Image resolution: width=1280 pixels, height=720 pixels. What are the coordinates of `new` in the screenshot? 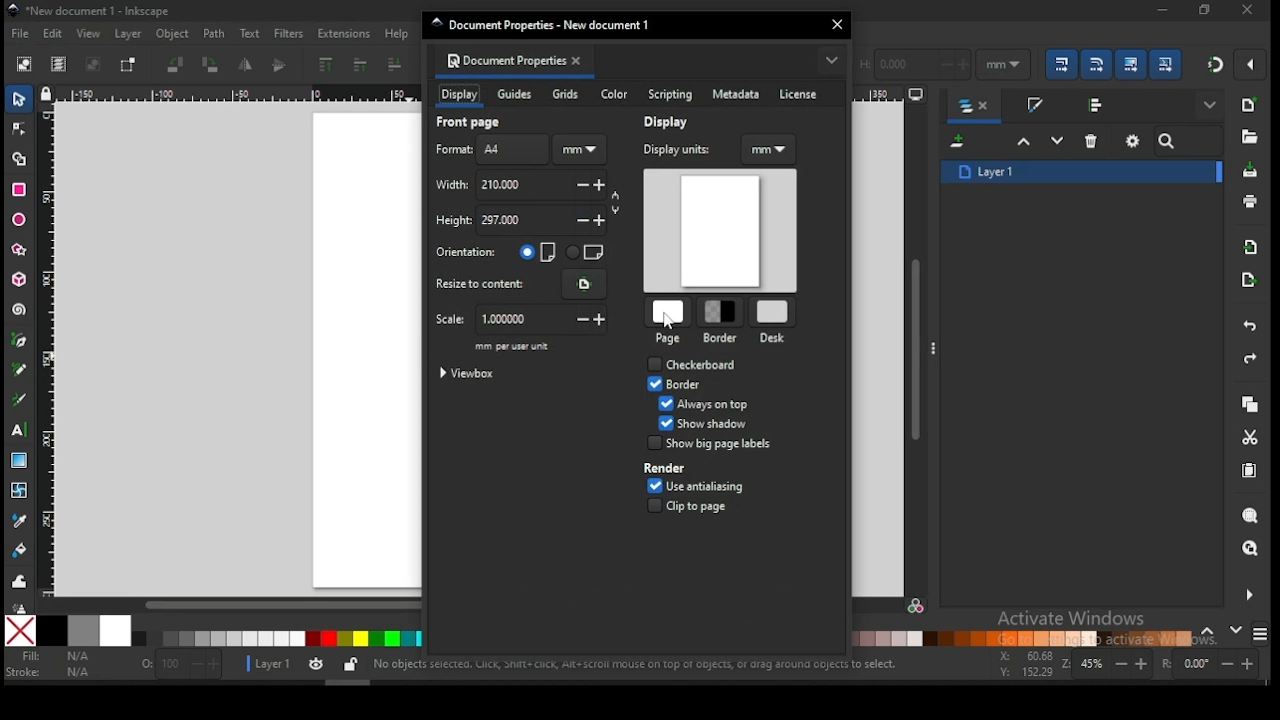 It's located at (1248, 105).